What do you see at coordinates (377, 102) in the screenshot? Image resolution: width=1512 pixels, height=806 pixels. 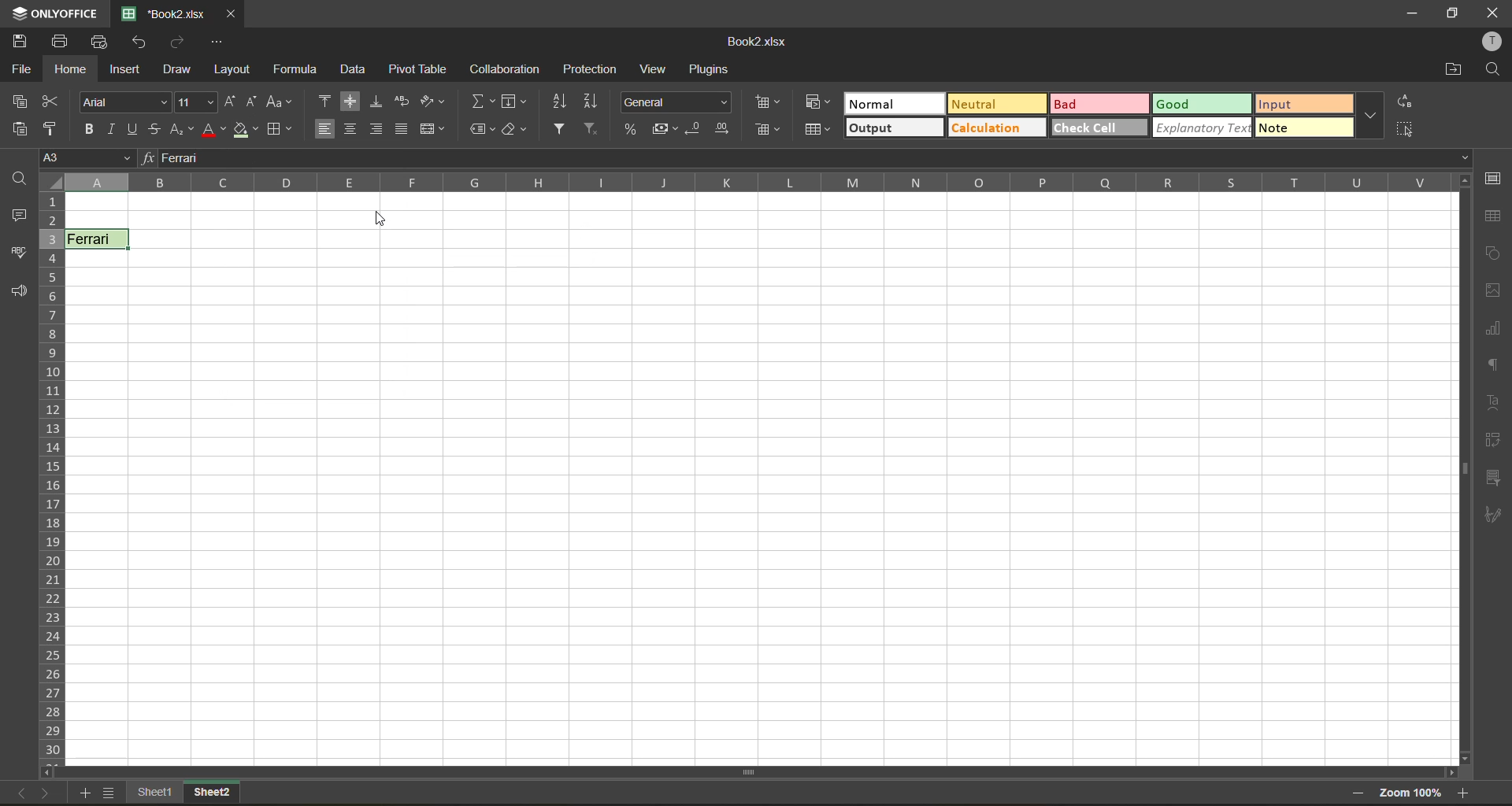 I see `align bottom` at bounding box center [377, 102].